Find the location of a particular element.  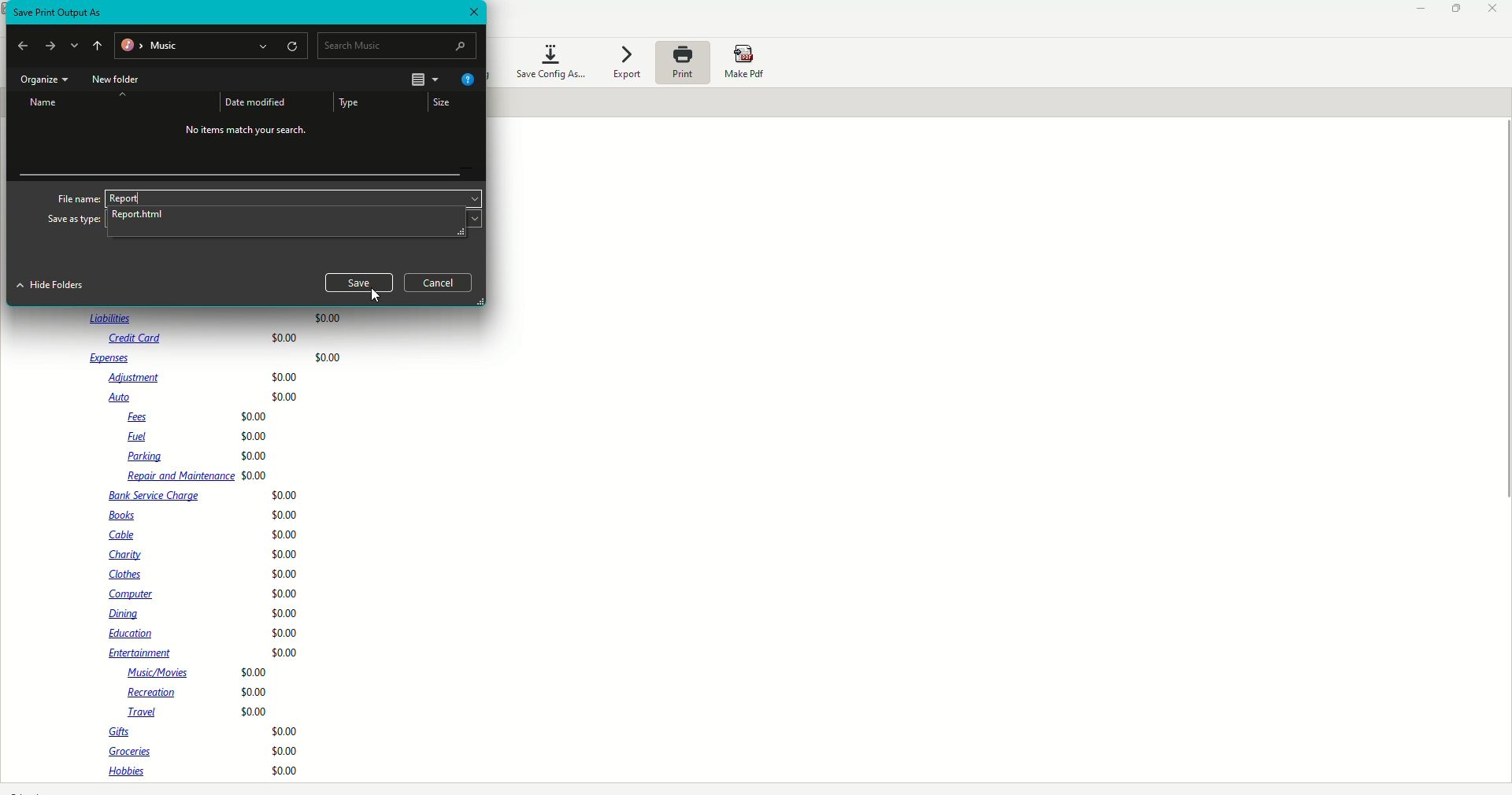

Save As is located at coordinates (58, 13).